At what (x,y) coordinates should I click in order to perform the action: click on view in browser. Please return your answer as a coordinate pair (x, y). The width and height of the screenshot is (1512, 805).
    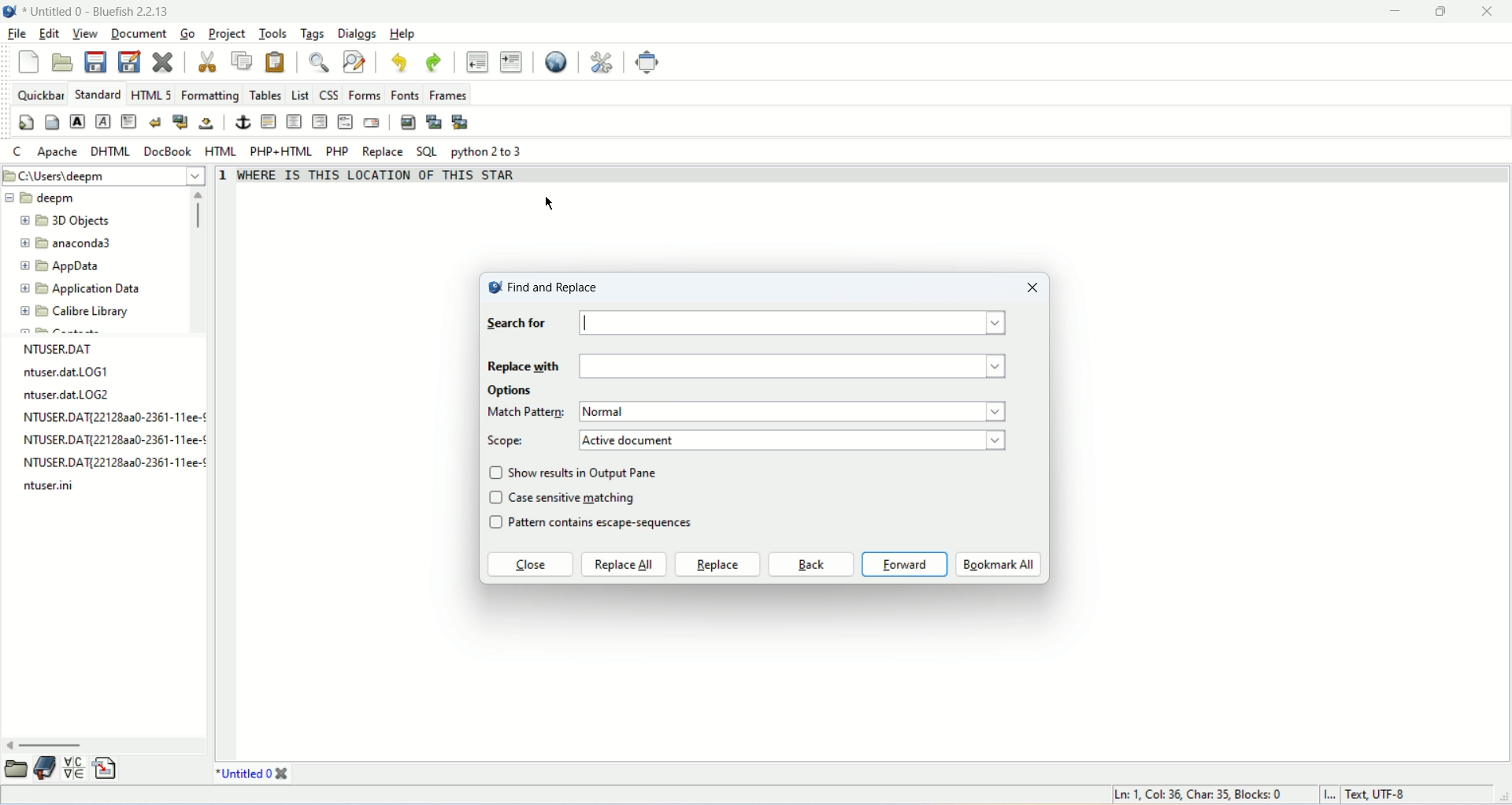
    Looking at the image, I should click on (555, 63).